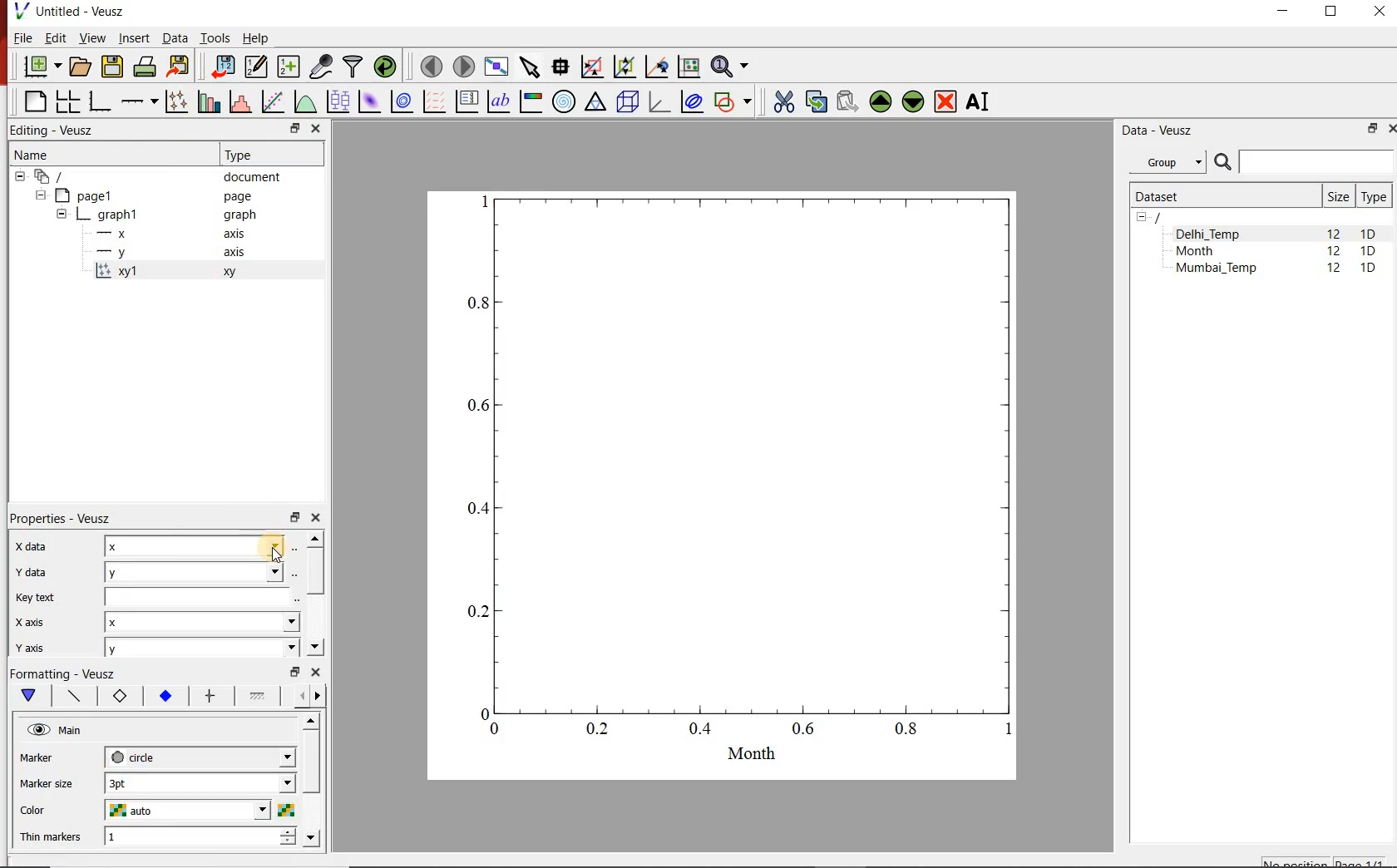 This screenshot has height=868, width=1397. Describe the element at coordinates (496, 67) in the screenshot. I see `view plot full screen` at that location.